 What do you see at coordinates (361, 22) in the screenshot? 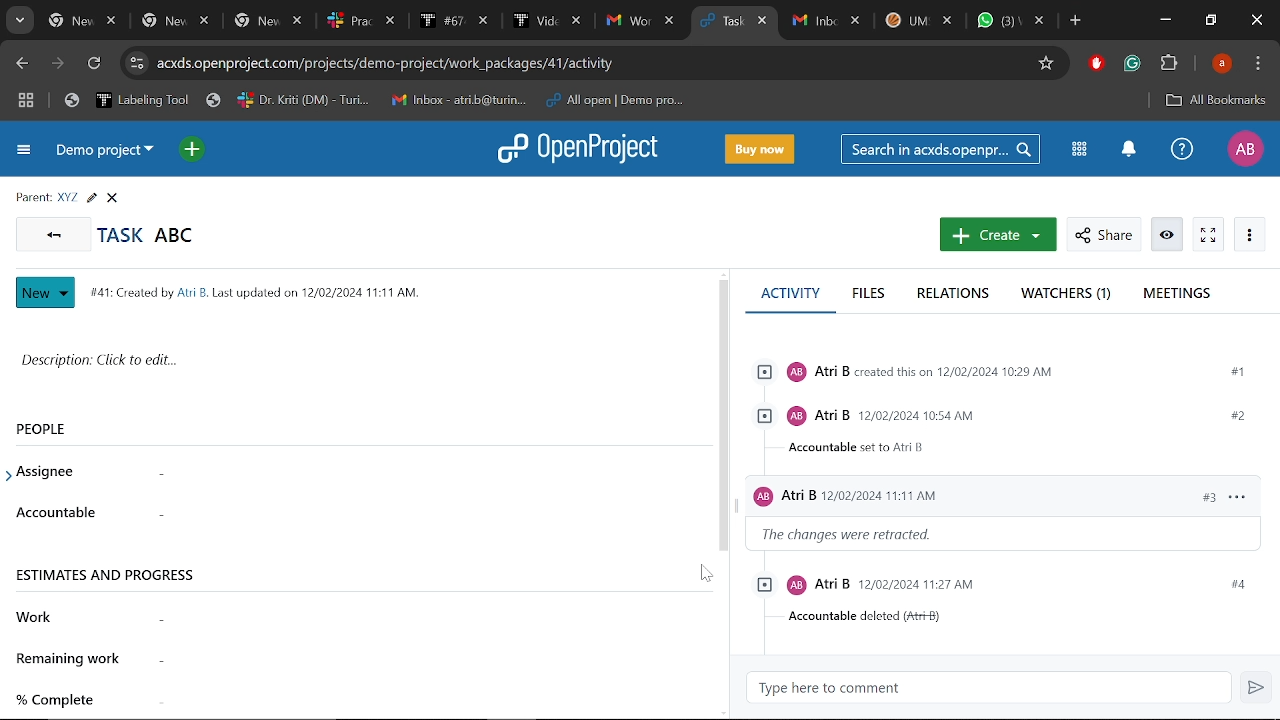
I see `open tabs` at bounding box center [361, 22].